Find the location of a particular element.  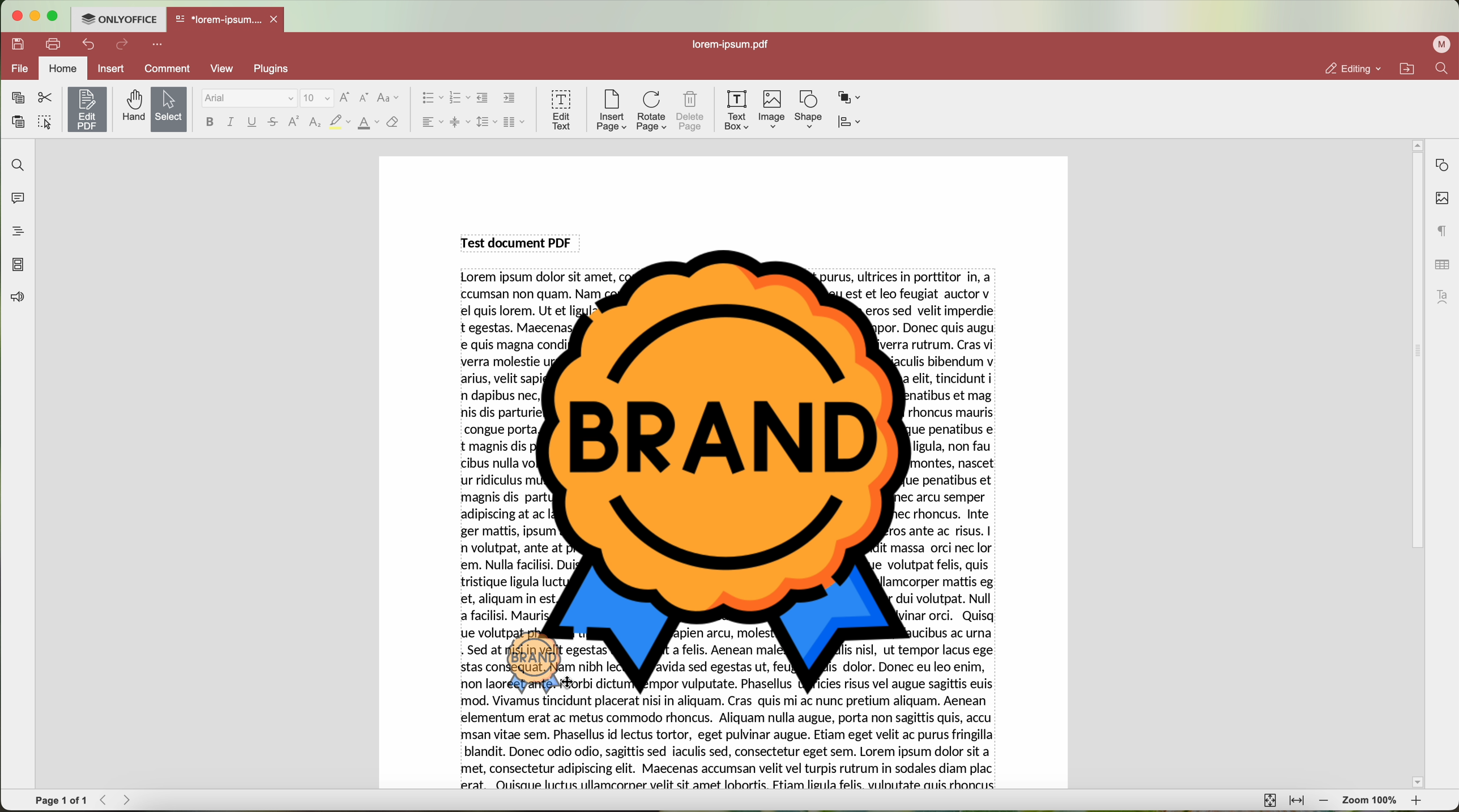

horizontal align is located at coordinates (431, 122).